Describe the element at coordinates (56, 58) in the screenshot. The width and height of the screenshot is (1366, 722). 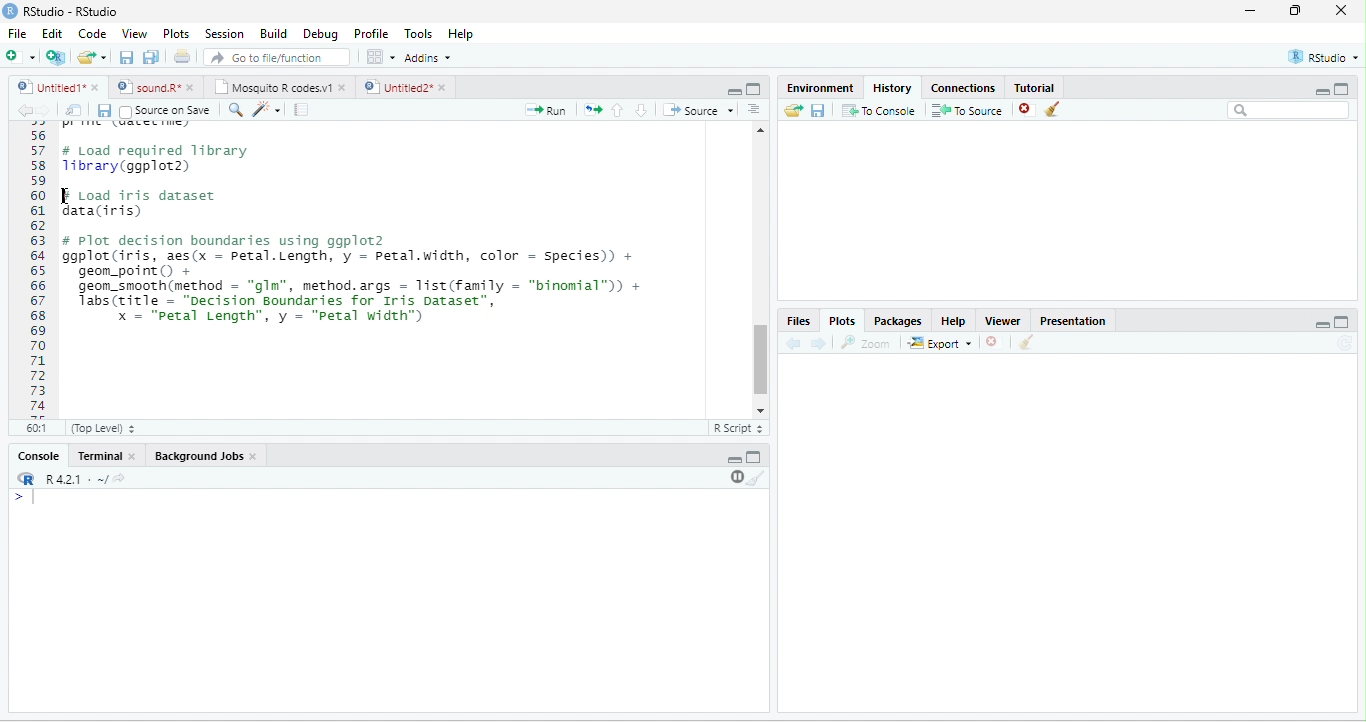
I see `new project` at that location.